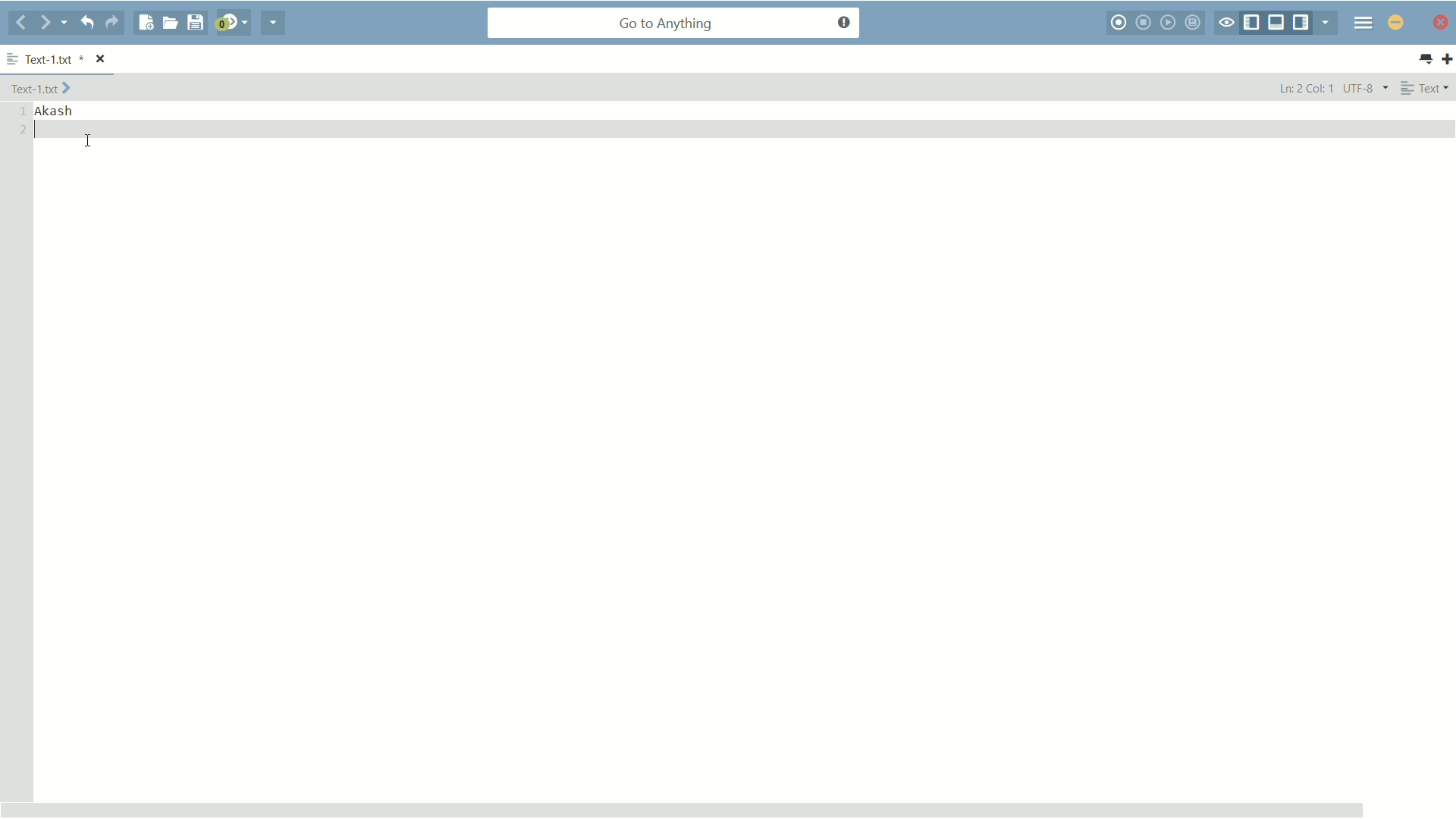 Image resolution: width=1456 pixels, height=819 pixels. What do you see at coordinates (1367, 88) in the screenshot?
I see `line encoding` at bounding box center [1367, 88].